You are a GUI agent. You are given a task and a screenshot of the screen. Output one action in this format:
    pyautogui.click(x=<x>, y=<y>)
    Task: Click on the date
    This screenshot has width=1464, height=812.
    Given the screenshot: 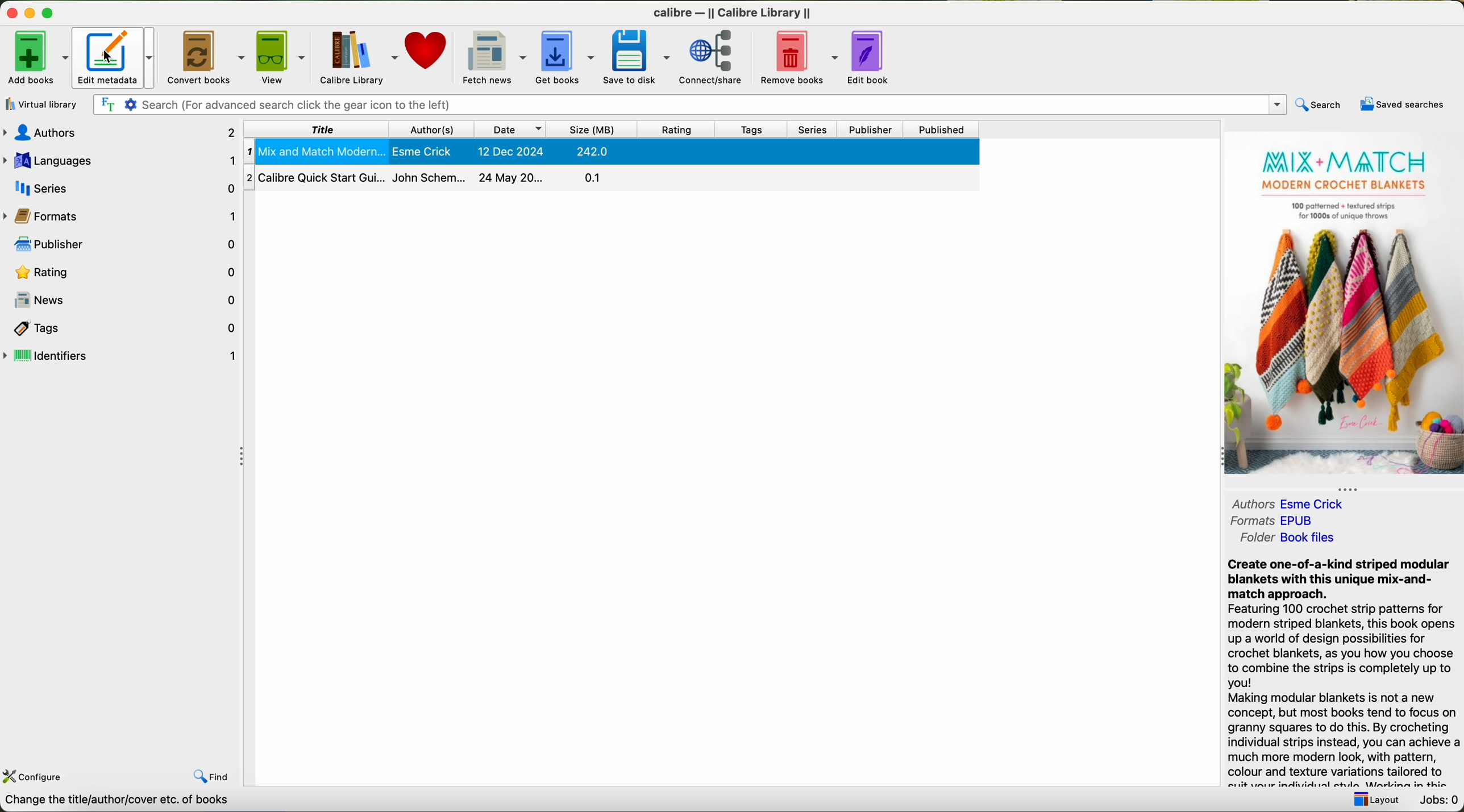 What is the action you would take?
    pyautogui.click(x=511, y=129)
    